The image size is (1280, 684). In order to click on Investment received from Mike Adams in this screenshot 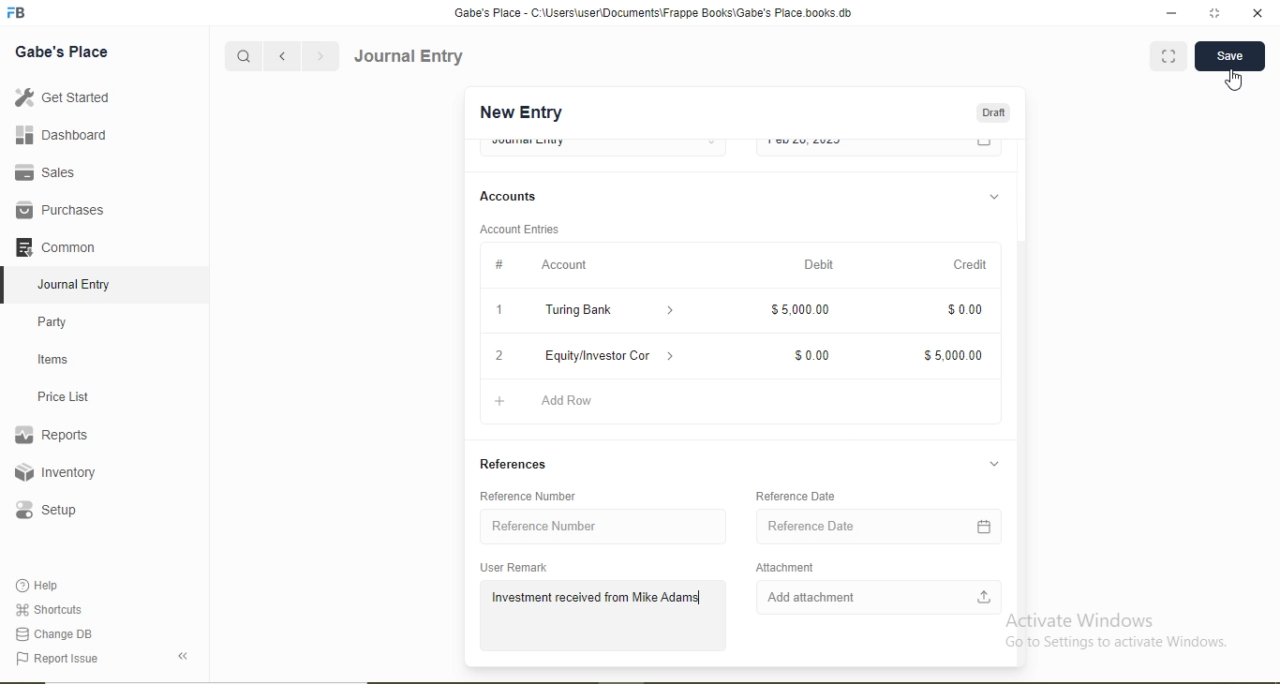, I will do `click(597, 598)`.